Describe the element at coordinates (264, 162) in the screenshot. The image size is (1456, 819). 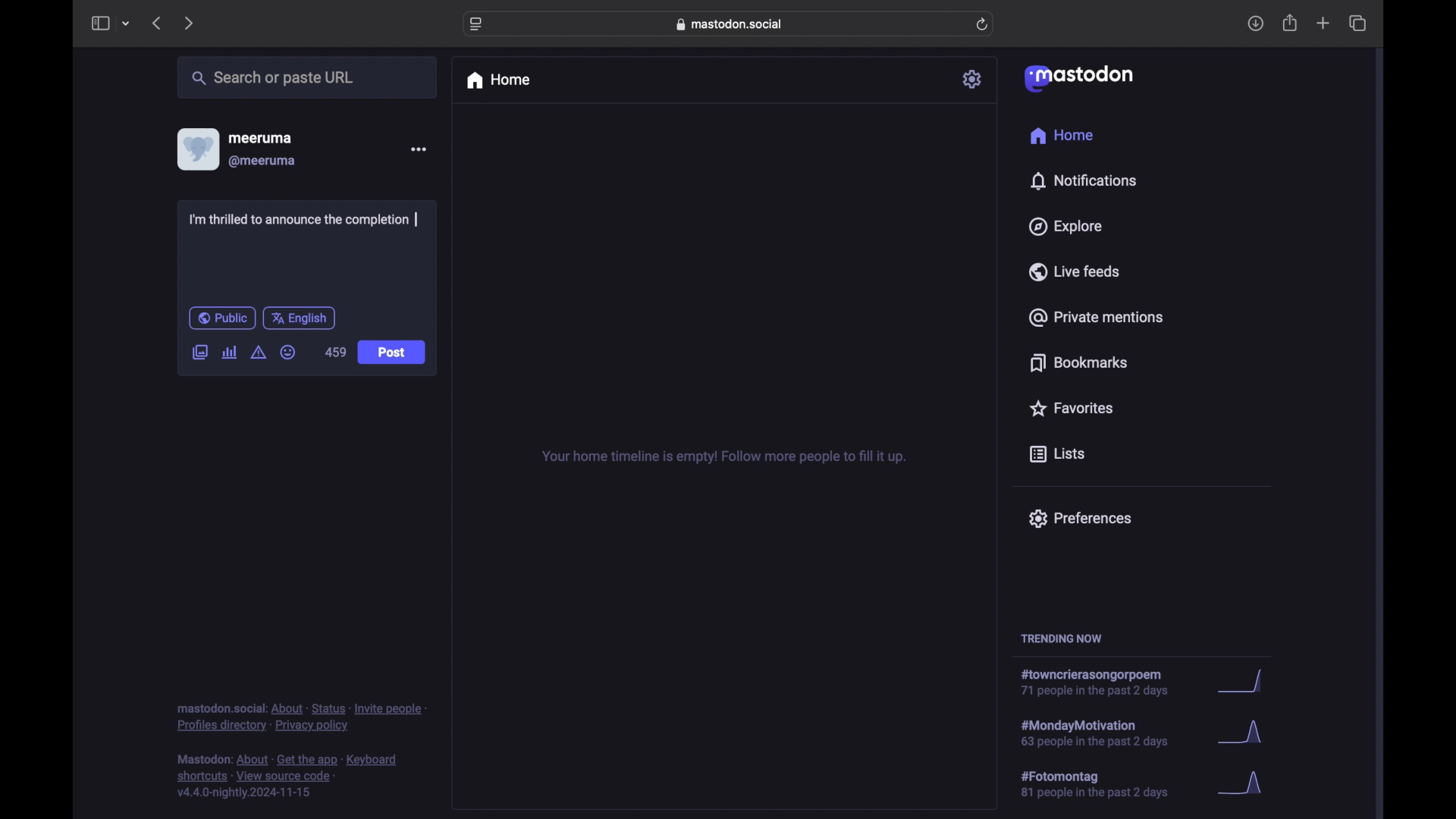
I see `@meeruma` at that location.